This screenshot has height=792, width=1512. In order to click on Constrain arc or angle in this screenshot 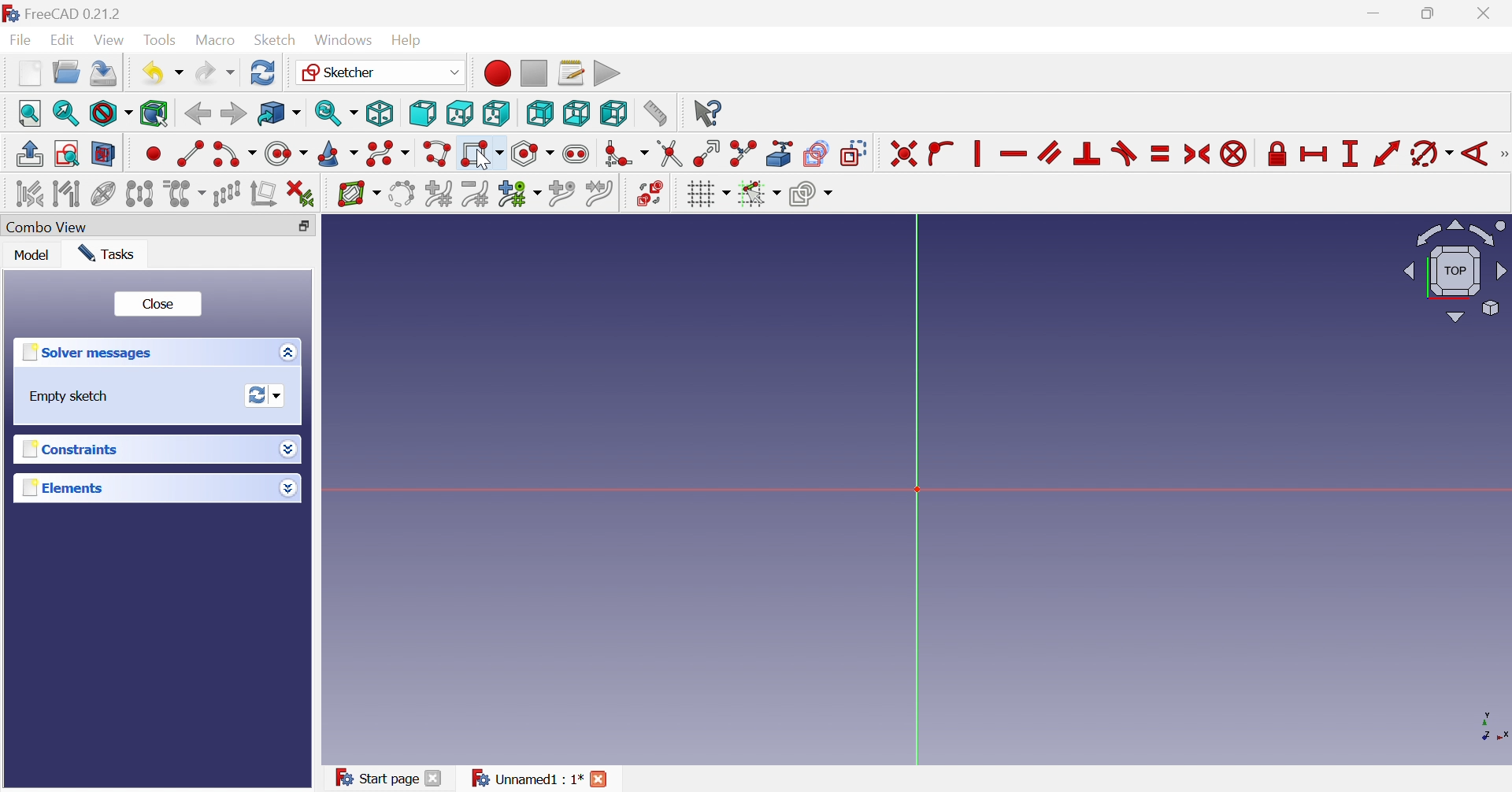, I will do `click(1432, 154)`.